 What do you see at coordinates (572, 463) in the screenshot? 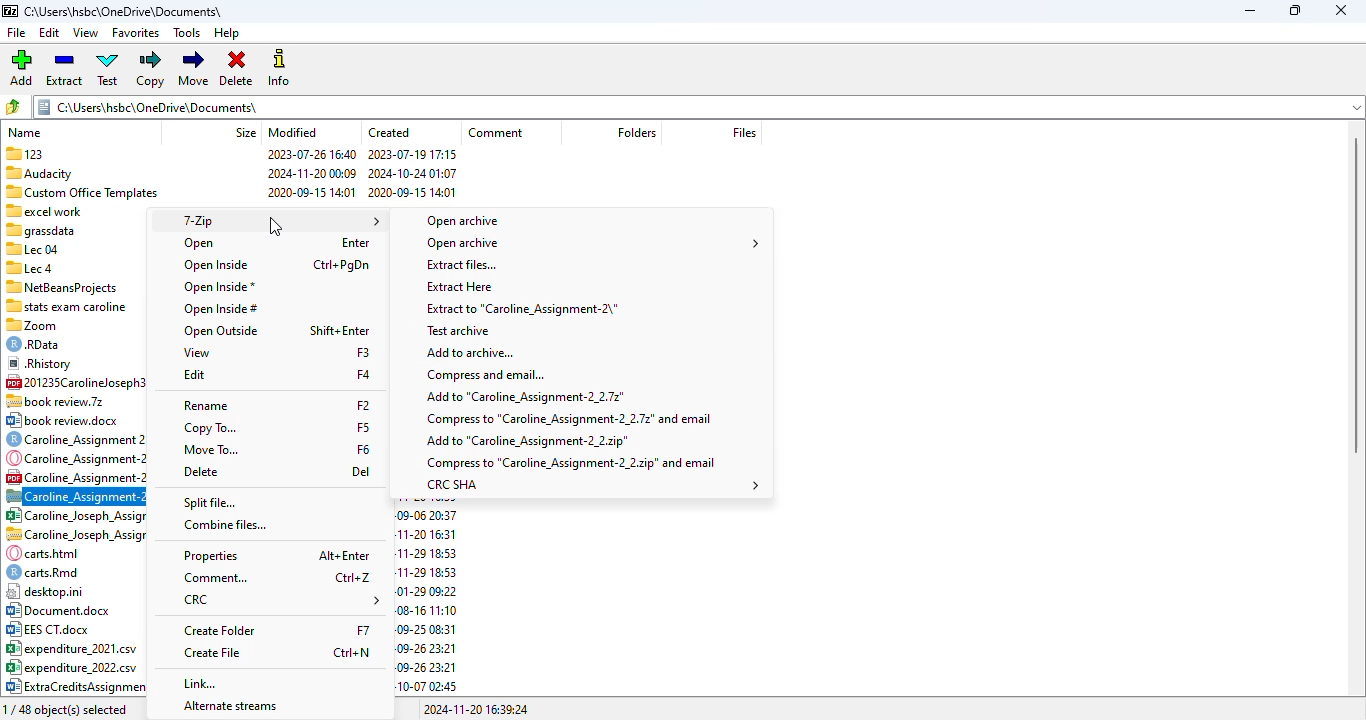
I see `compress to .zip file and email` at bounding box center [572, 463].